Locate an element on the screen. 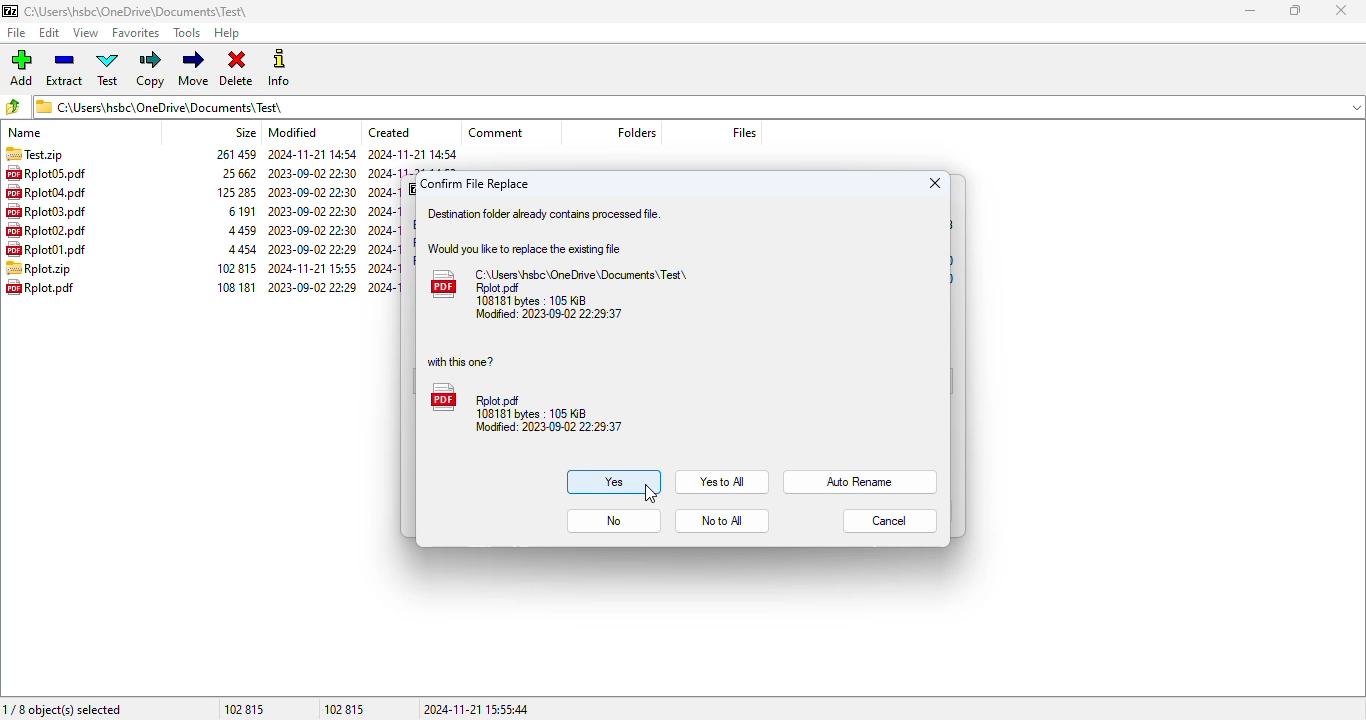 The height and width of the screenshot is (720, 1366). move is located at coordinates (194, 67).